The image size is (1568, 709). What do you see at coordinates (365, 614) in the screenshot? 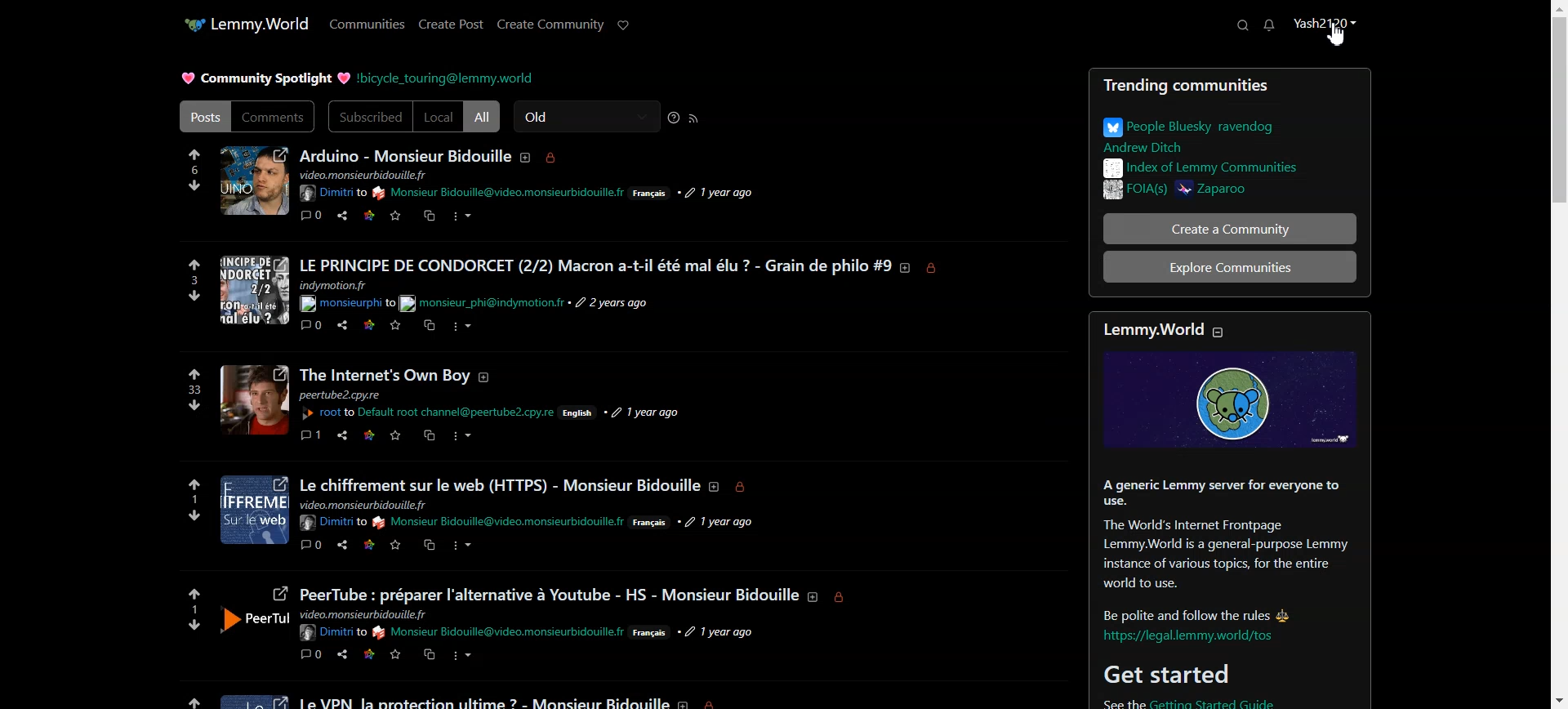
I see `` at bounding box center [365, 614].